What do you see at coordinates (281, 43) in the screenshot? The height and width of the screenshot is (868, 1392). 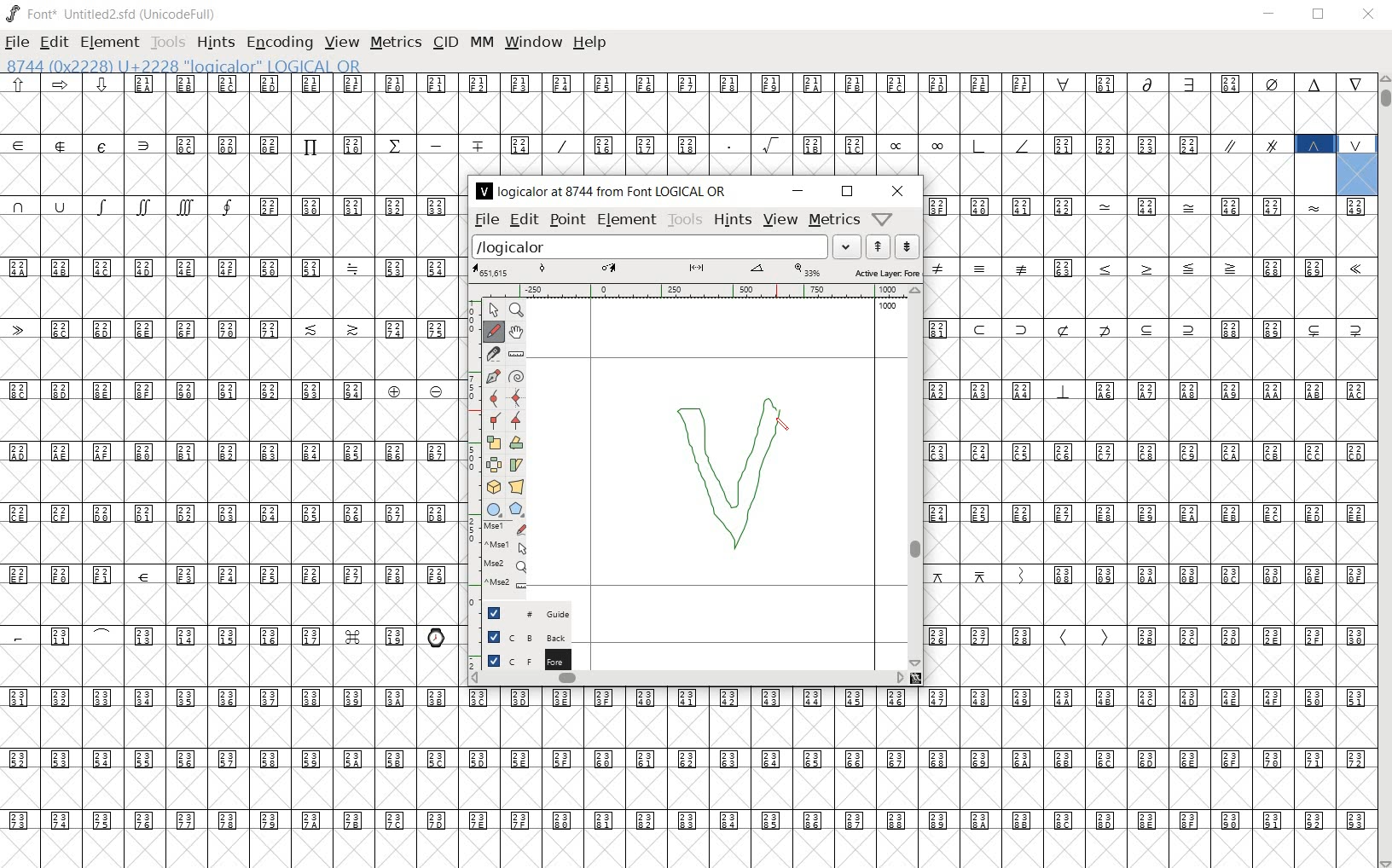 I see `encoding` at bounding box center [281, 43].